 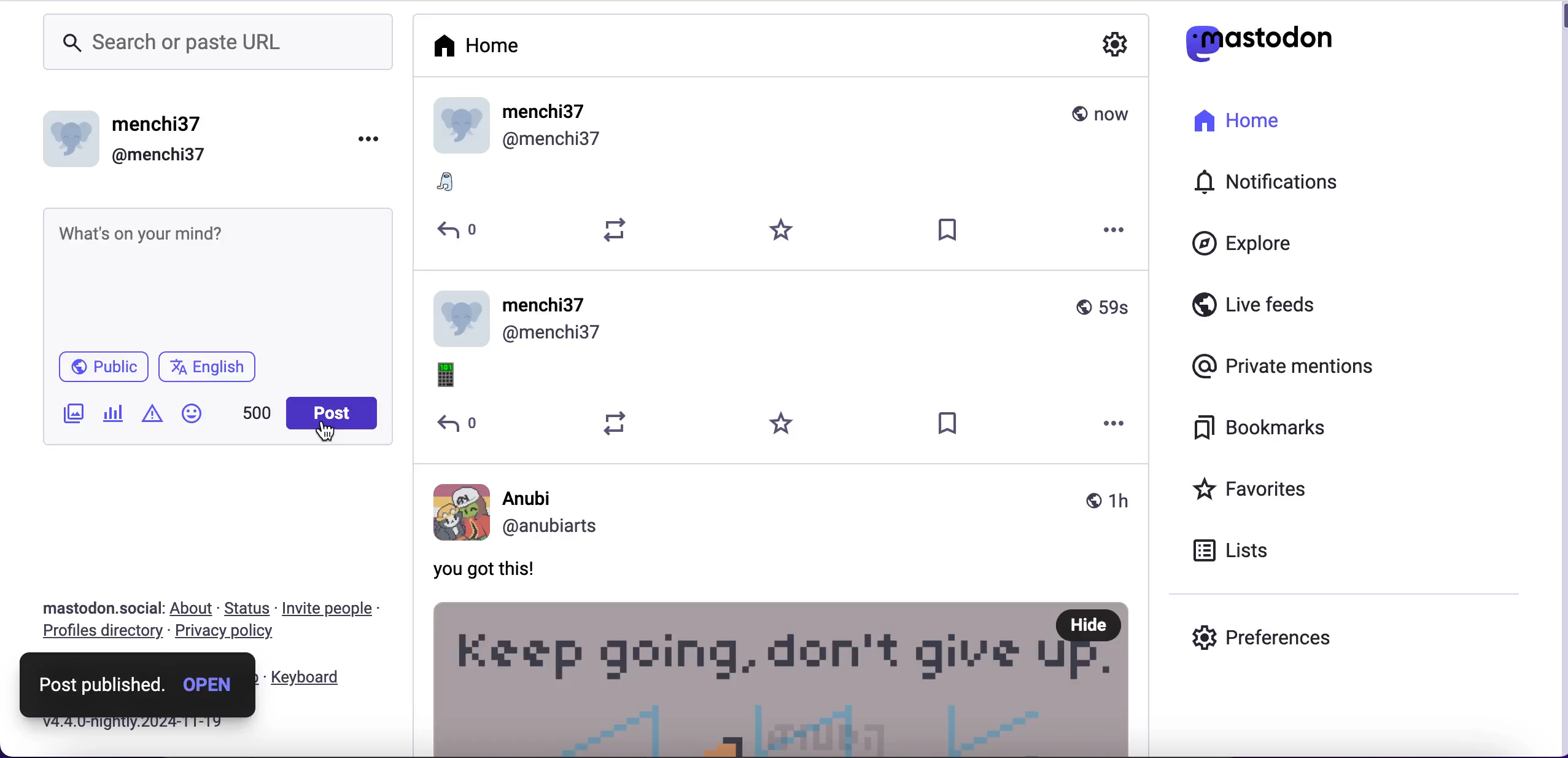 What do you see at coordinates (131, 142) in the screenshot?
I see `menchi37 @menchi37` at bounding box center [131, 142].